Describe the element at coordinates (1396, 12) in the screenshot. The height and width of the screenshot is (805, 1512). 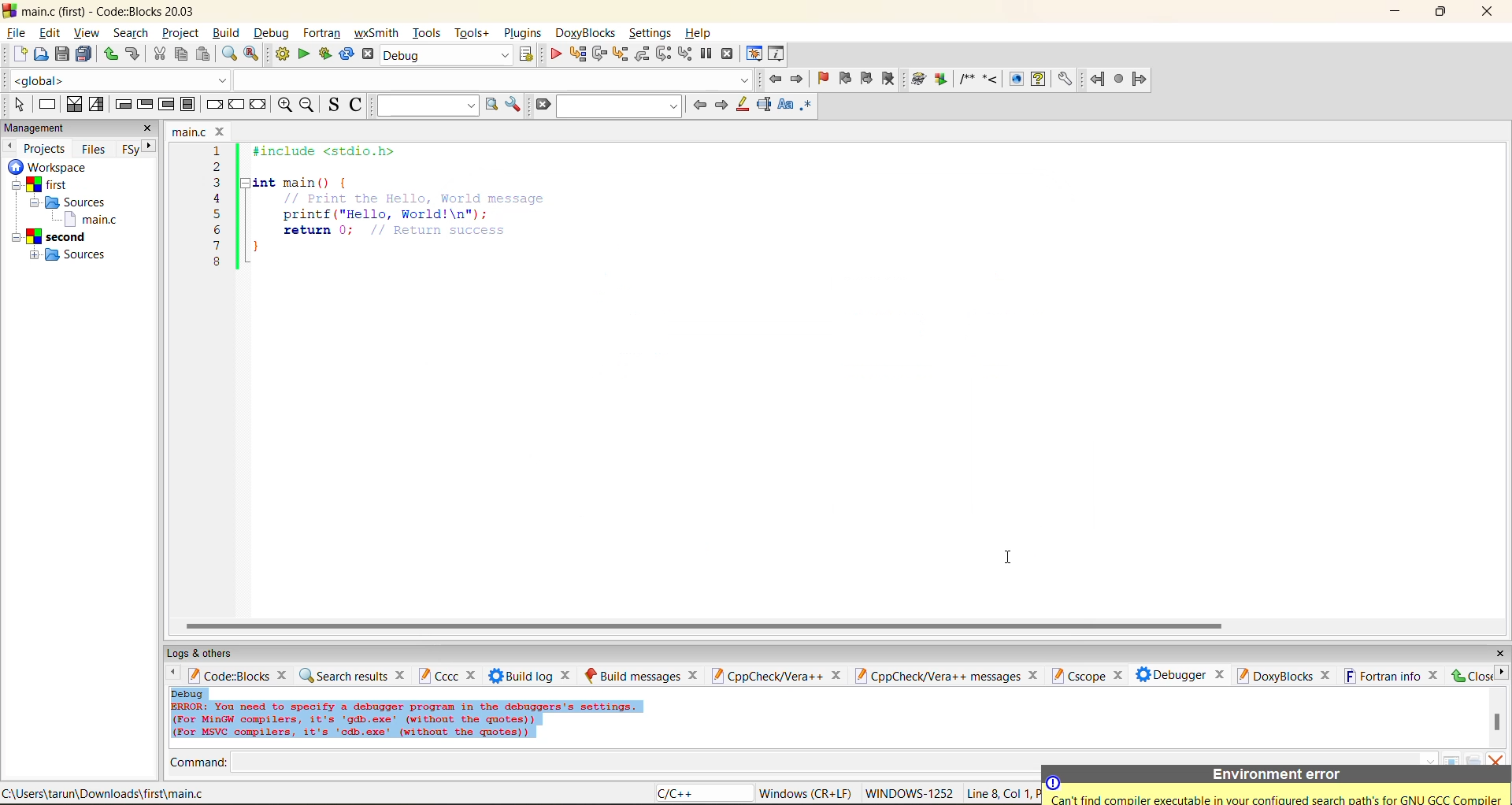
I see `minimize` at that location.